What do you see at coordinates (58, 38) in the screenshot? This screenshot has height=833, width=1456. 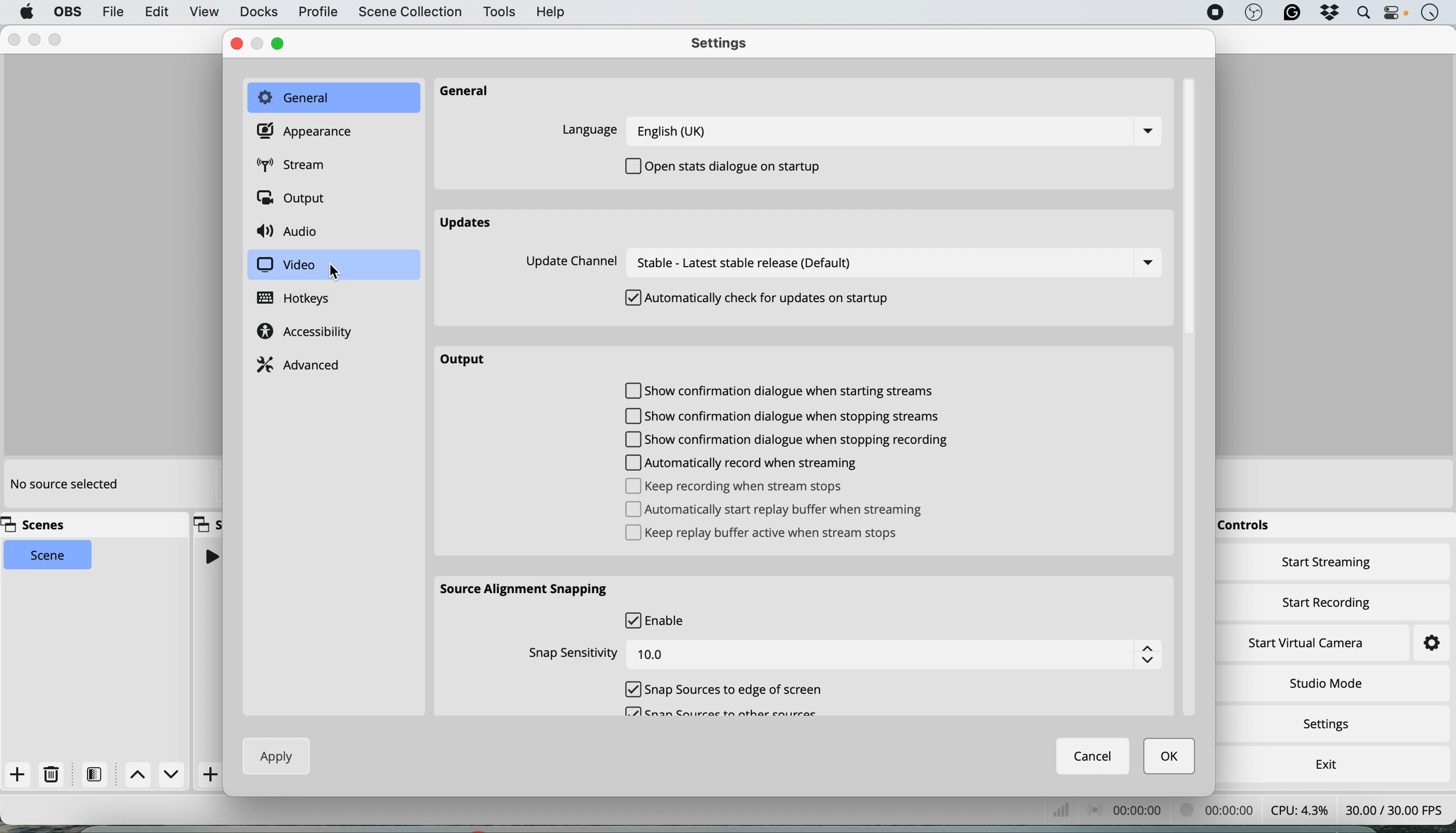 I see `maximise` at bounding box center [58, 38].